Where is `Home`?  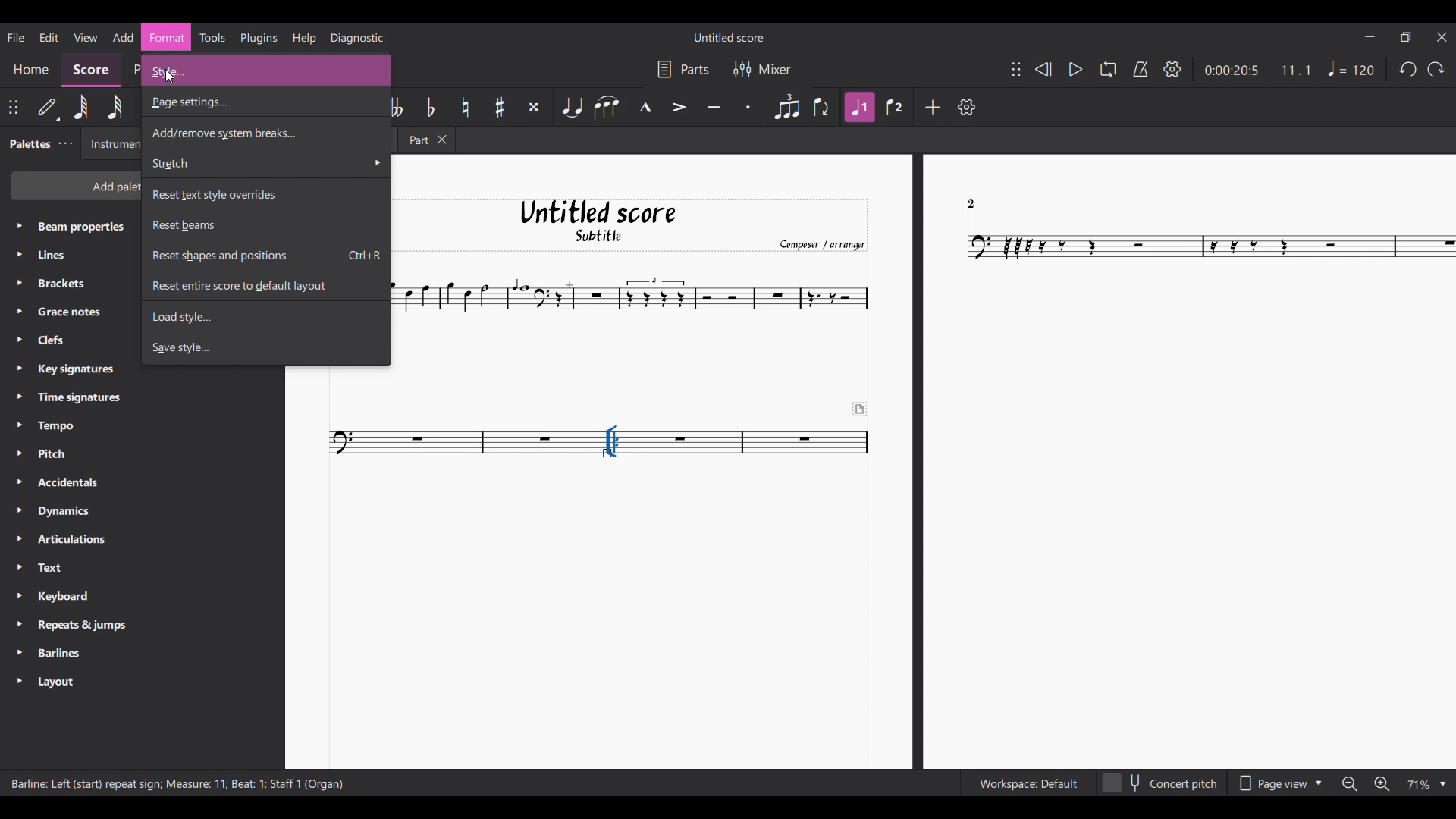
Home is located at coordinates (30, 71).